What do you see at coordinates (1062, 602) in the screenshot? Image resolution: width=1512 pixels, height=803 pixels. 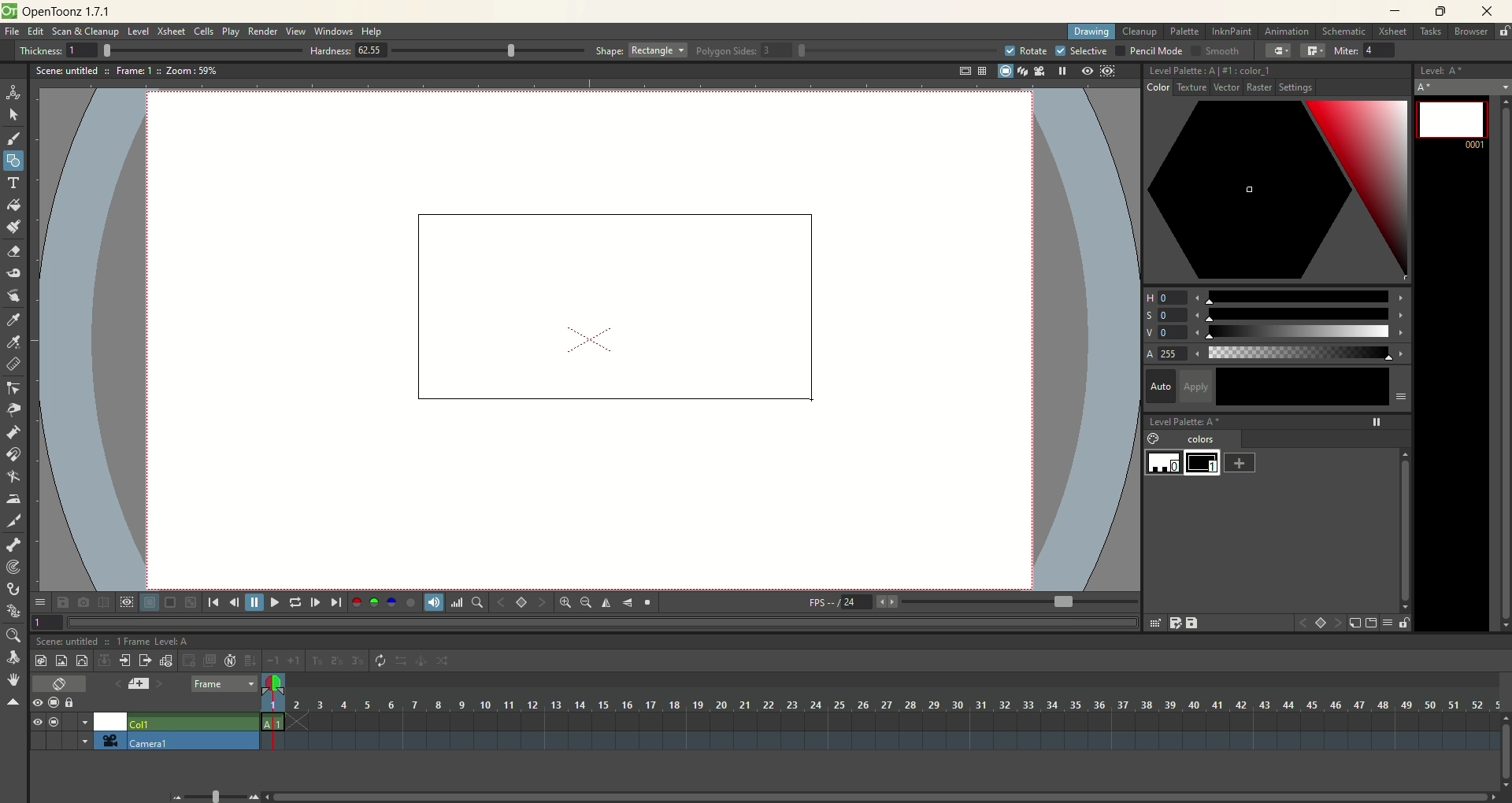 I see `set the playback frame rate` at bounding box center [1062, 602].